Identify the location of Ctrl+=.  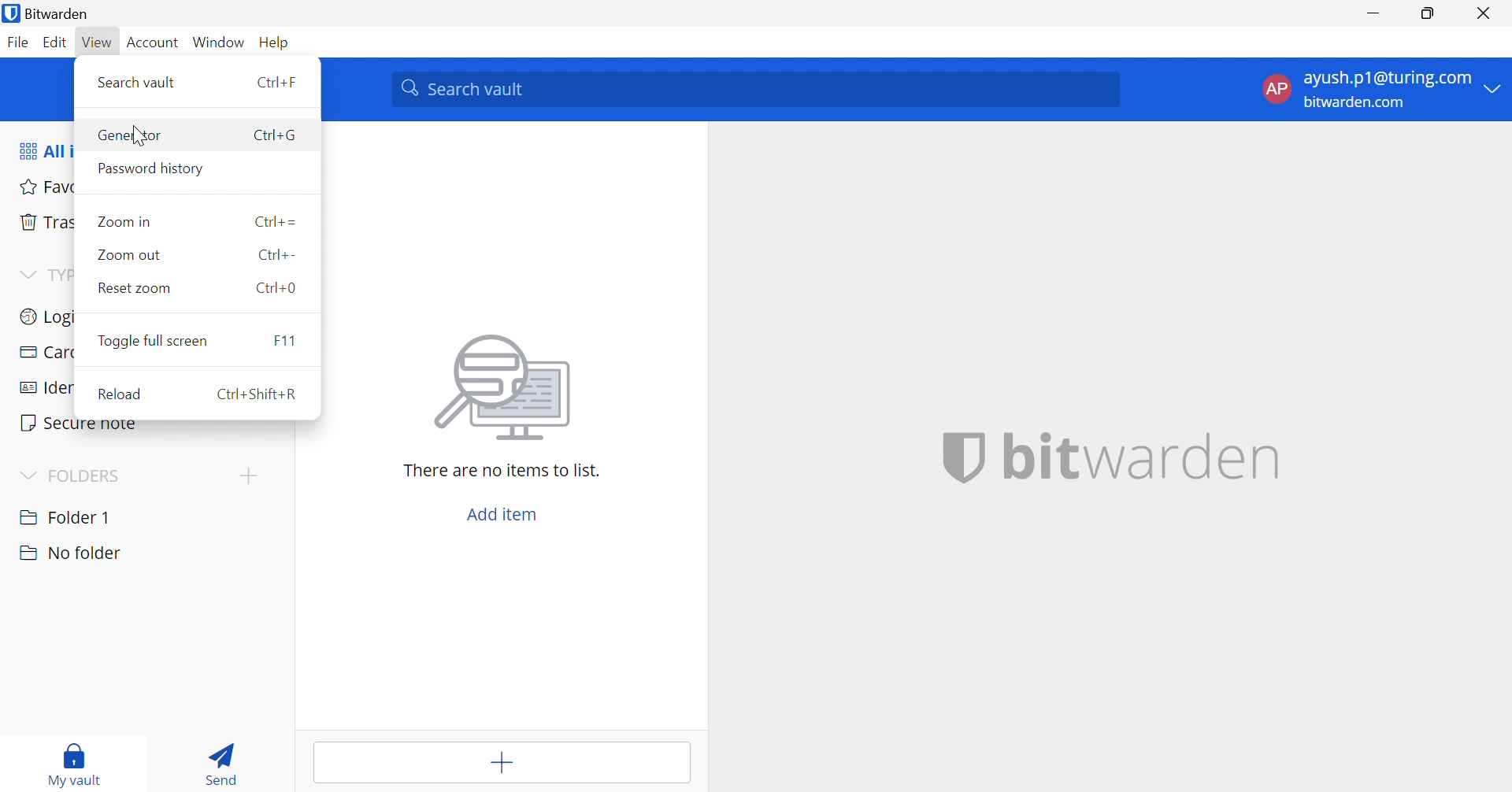
(275, 221).